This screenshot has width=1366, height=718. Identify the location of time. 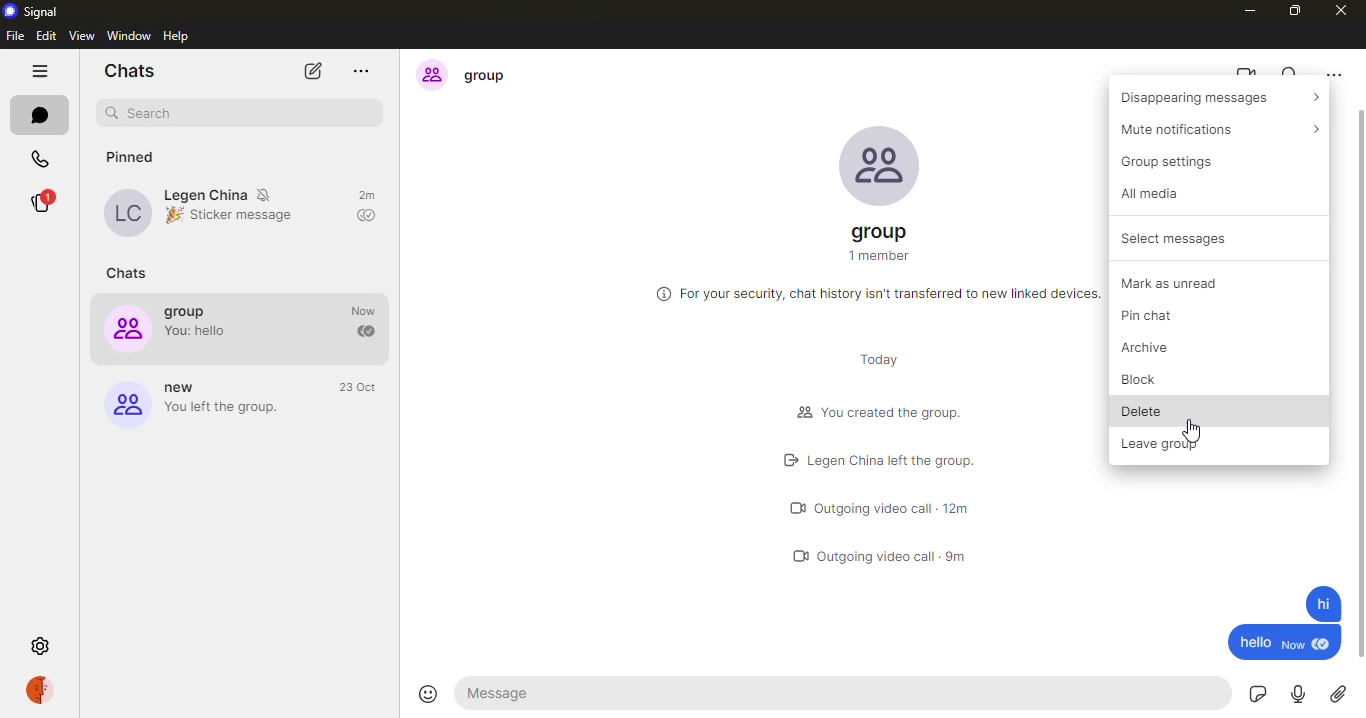
(366, 195).